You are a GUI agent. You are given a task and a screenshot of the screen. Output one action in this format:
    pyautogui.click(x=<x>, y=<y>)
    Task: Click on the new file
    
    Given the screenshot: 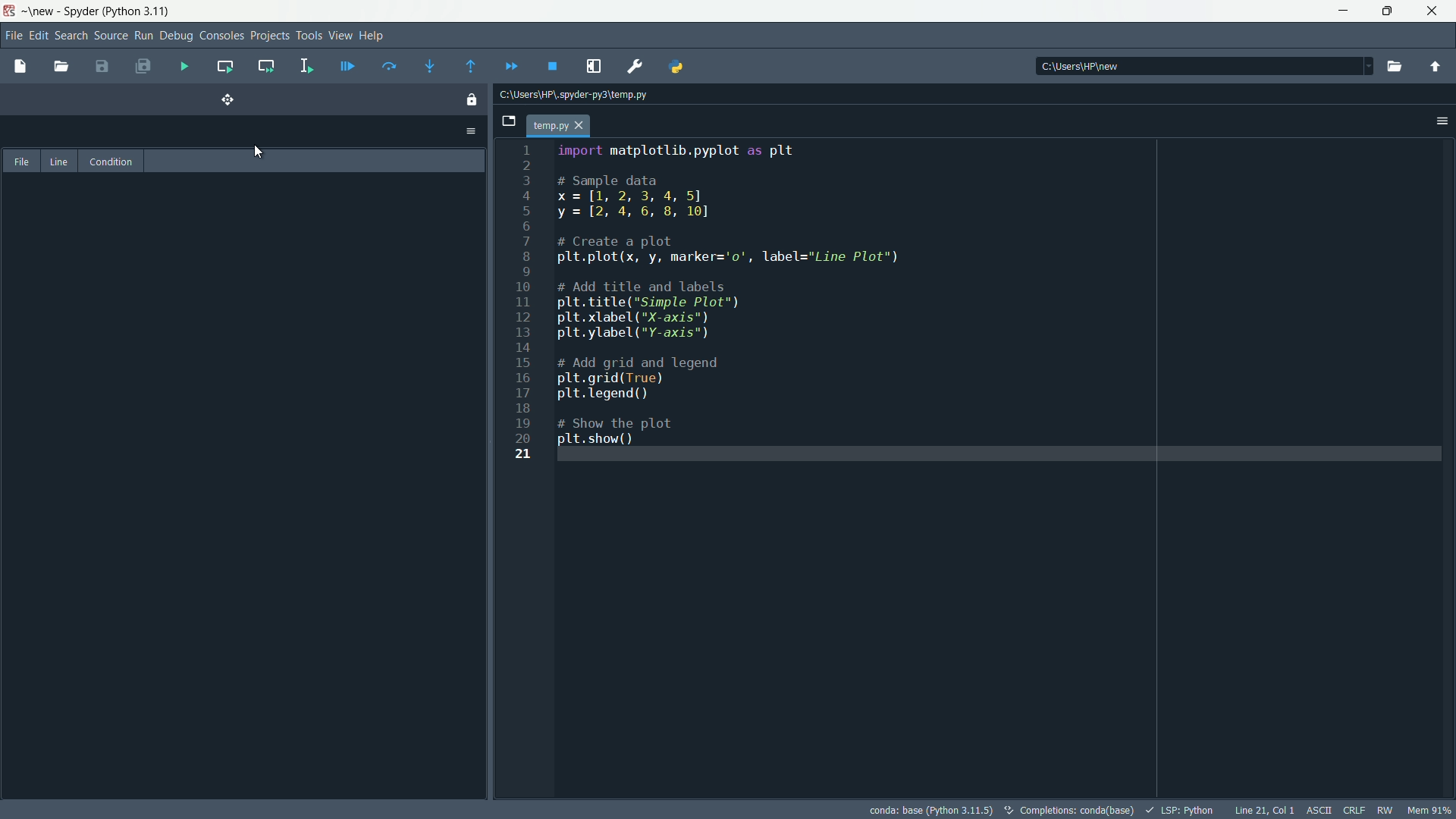 What is the action you would take?
    pyautogui.click(x=18, y=65)
    